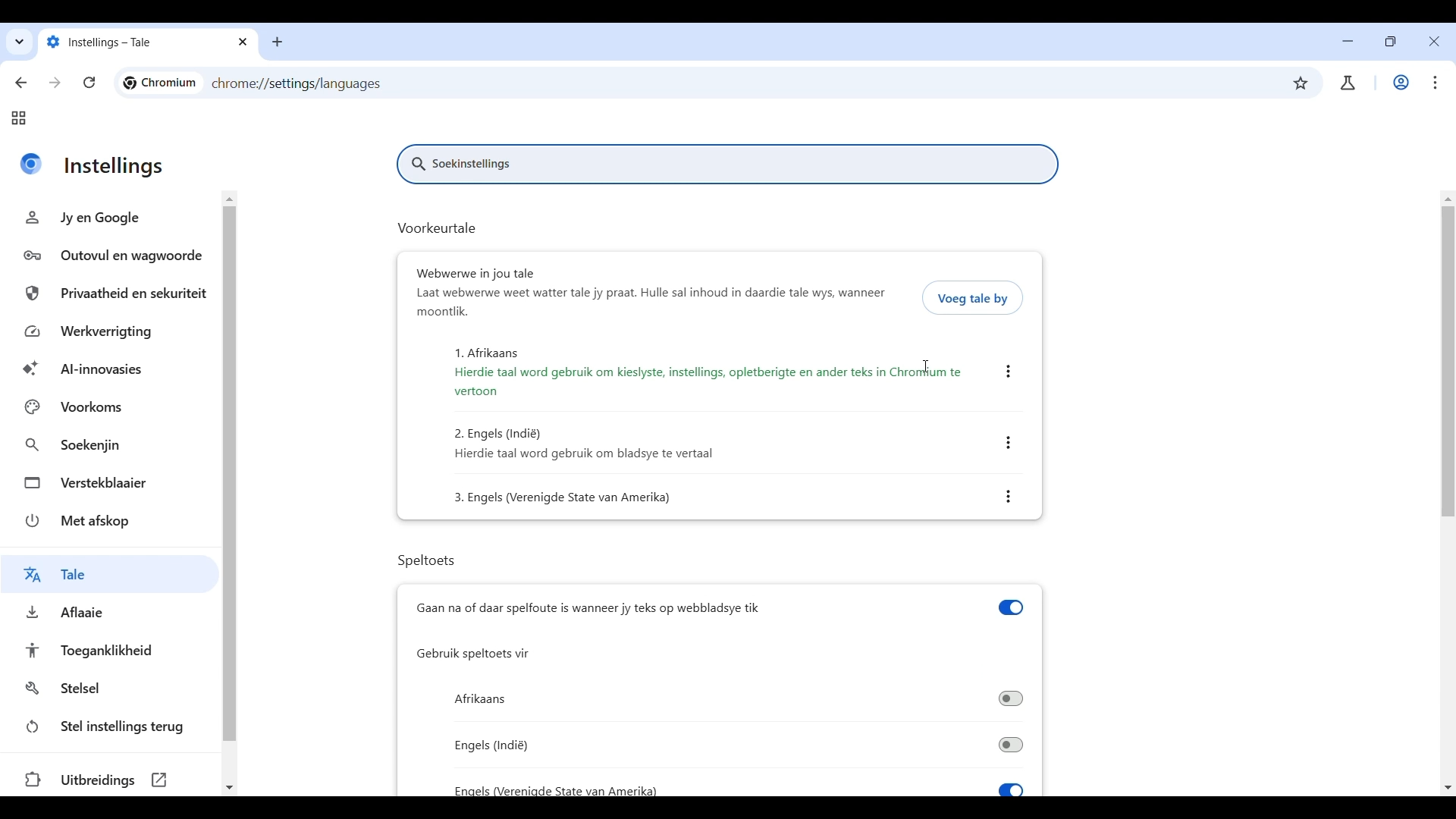 The height and width of the screenshot is (819, 1456). What do you see at coordinates (593, 445) in the screenshot?
I see `2. Engels (Indi)
Hierdie taal word gebruik om bladsye te vertaal` at bounding box center [593, 445].